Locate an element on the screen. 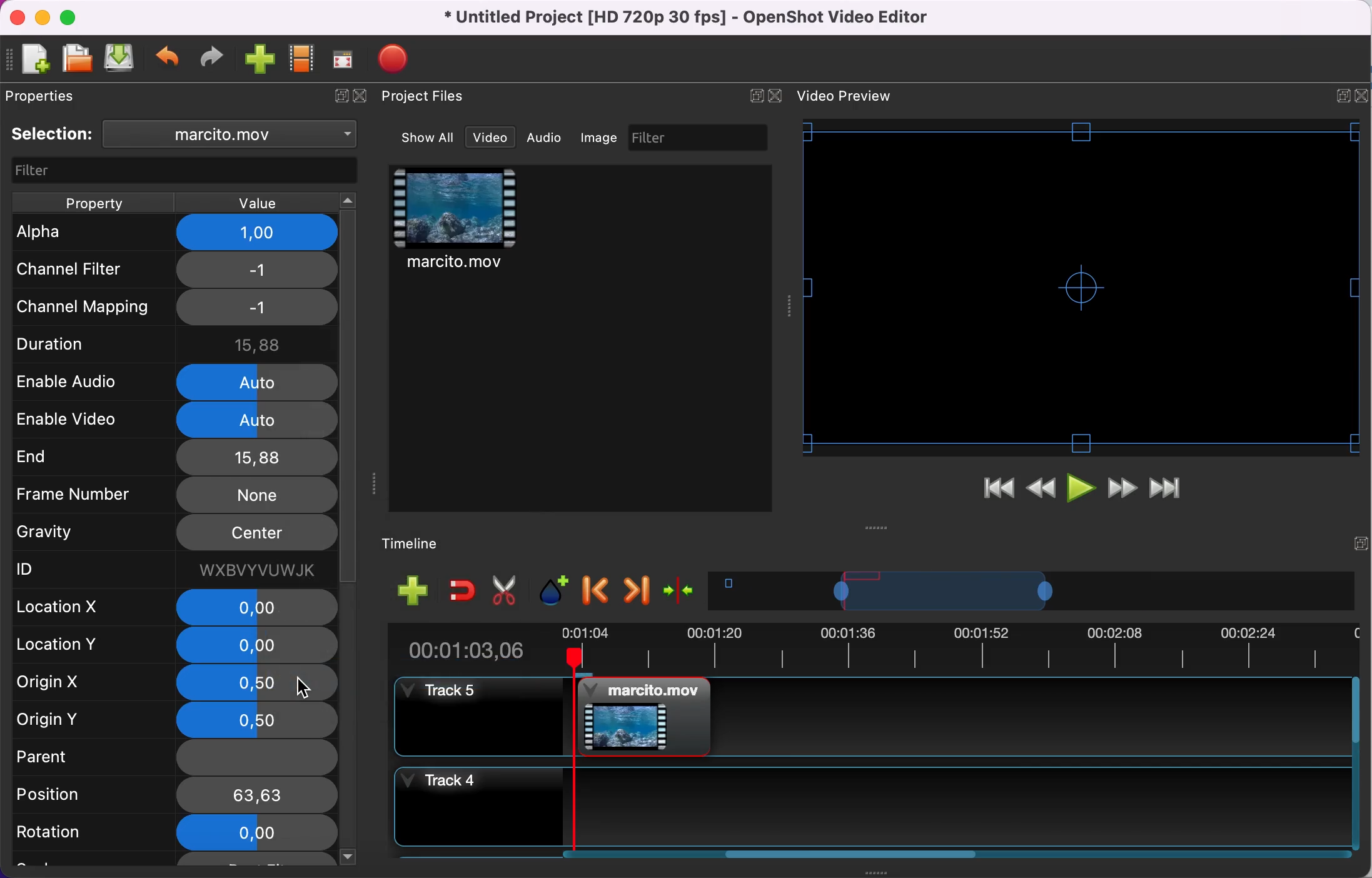 This screenshot has height=878, width=1372. expand/hide is located at coordinates (338, 97).